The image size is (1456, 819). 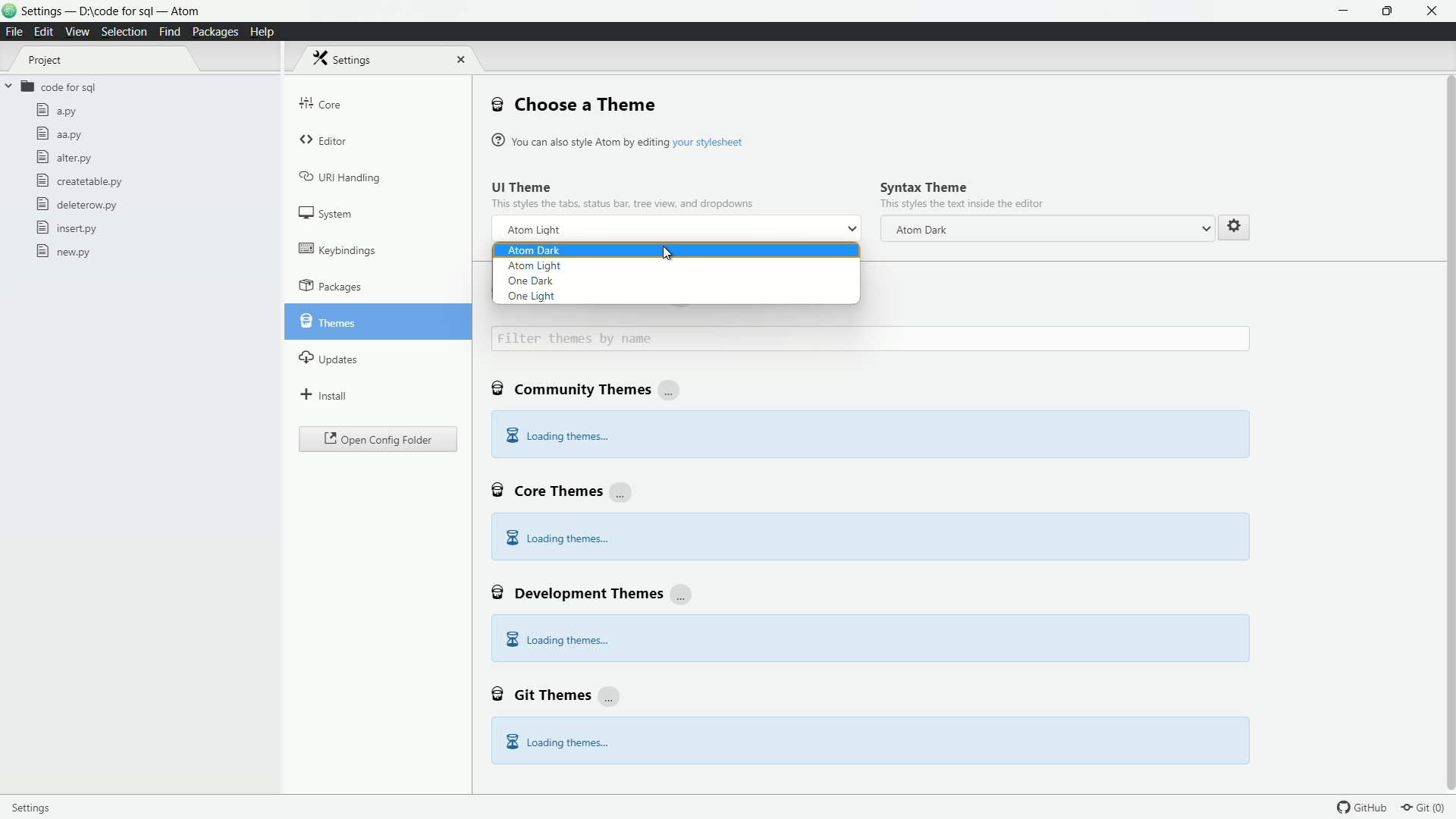 I want to click on loading themes, so click(x=557, y=742).